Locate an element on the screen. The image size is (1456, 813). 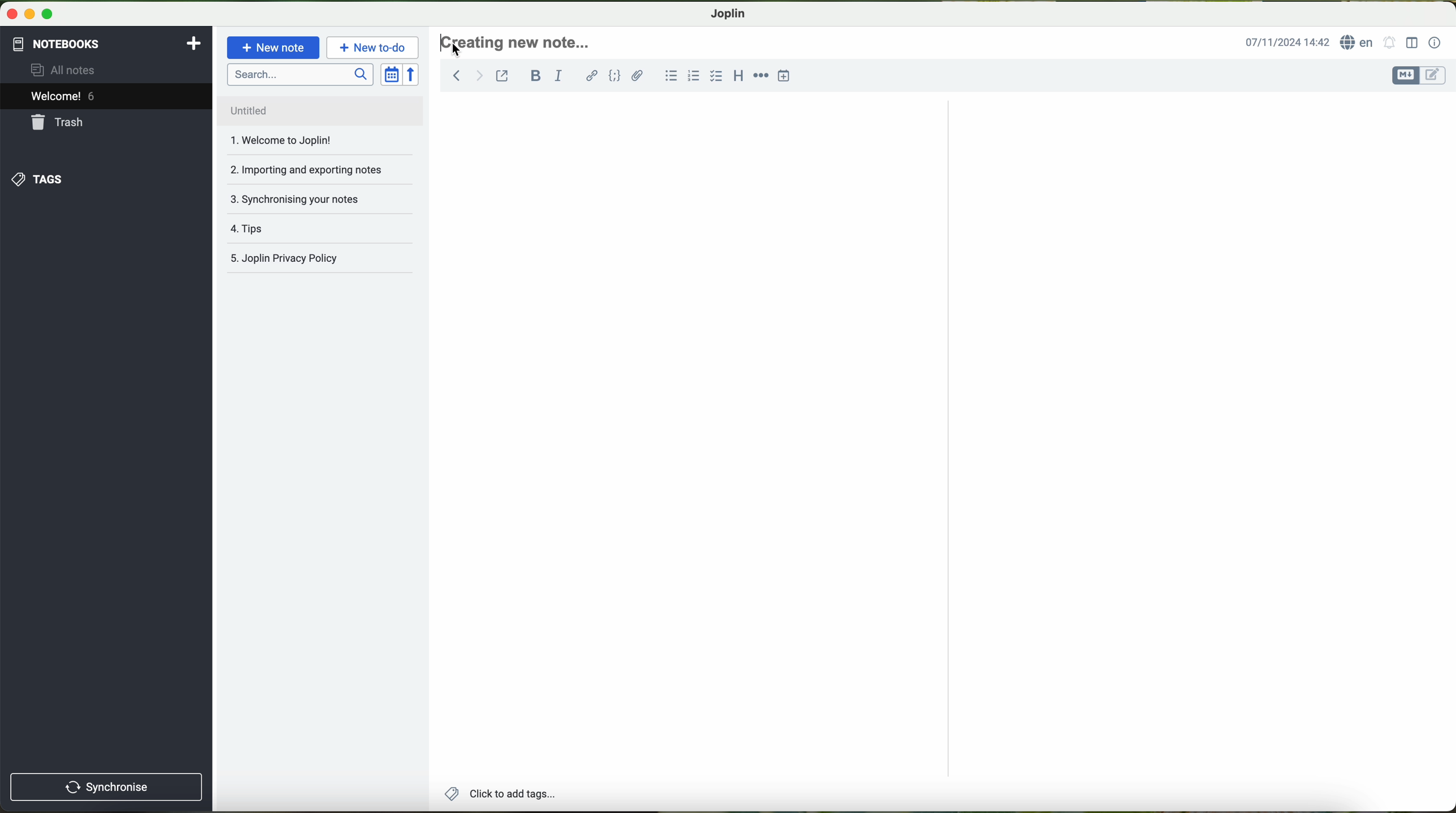
tags is located at coordinates (318, 228).